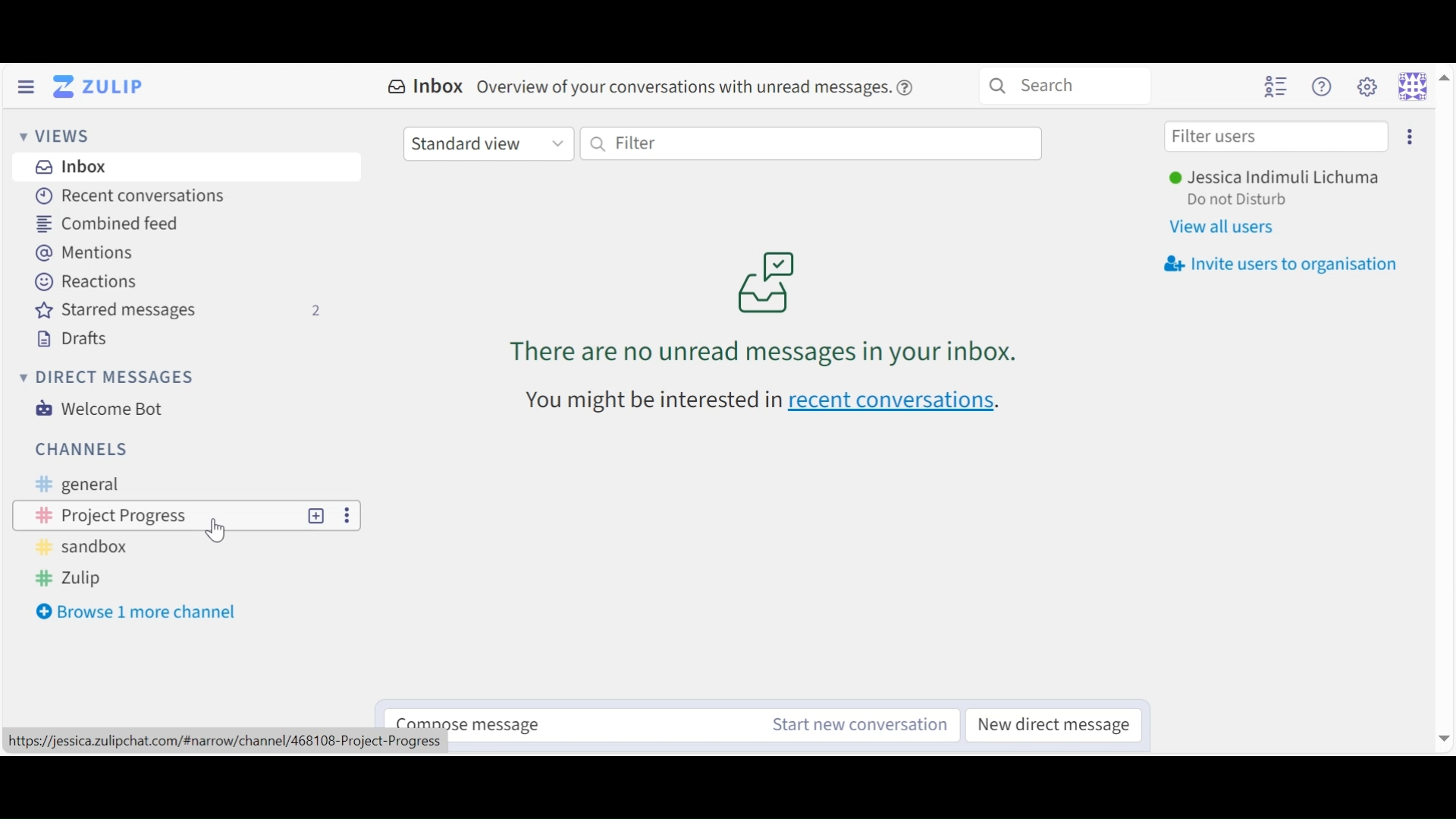  What do you see at coordinates (1050, 724) in the screenshot?
I see `New direct message` at bounding box center [1050, 724].